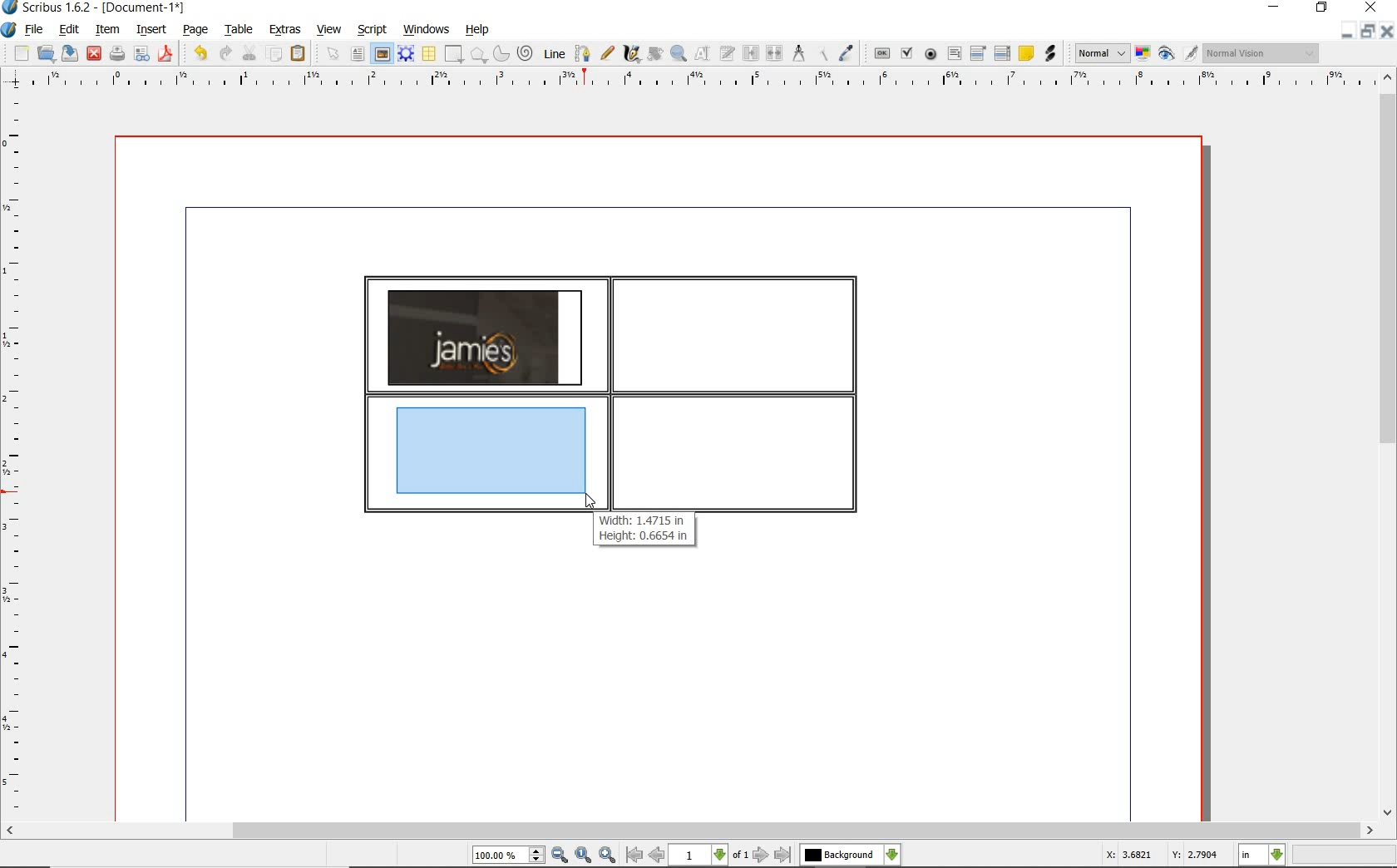 Image resolution: width=1397 pixels, height=868 pixels. I want to click on link annotation, so click(1049, 53).